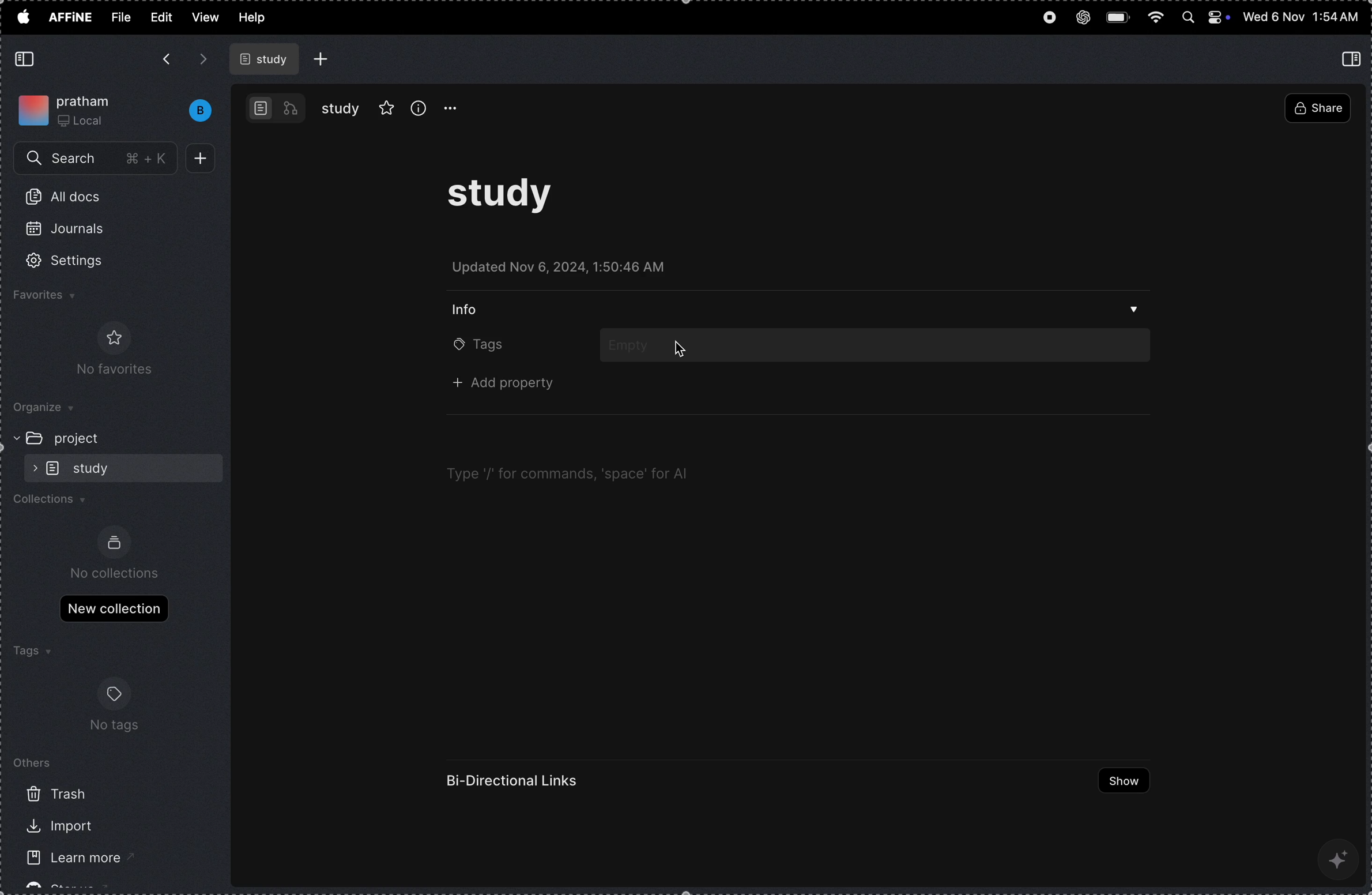 The image size is (1372, 895). Describe the element at coordinates (1134, 312) in the screenshot. I see `drop down` at that location.